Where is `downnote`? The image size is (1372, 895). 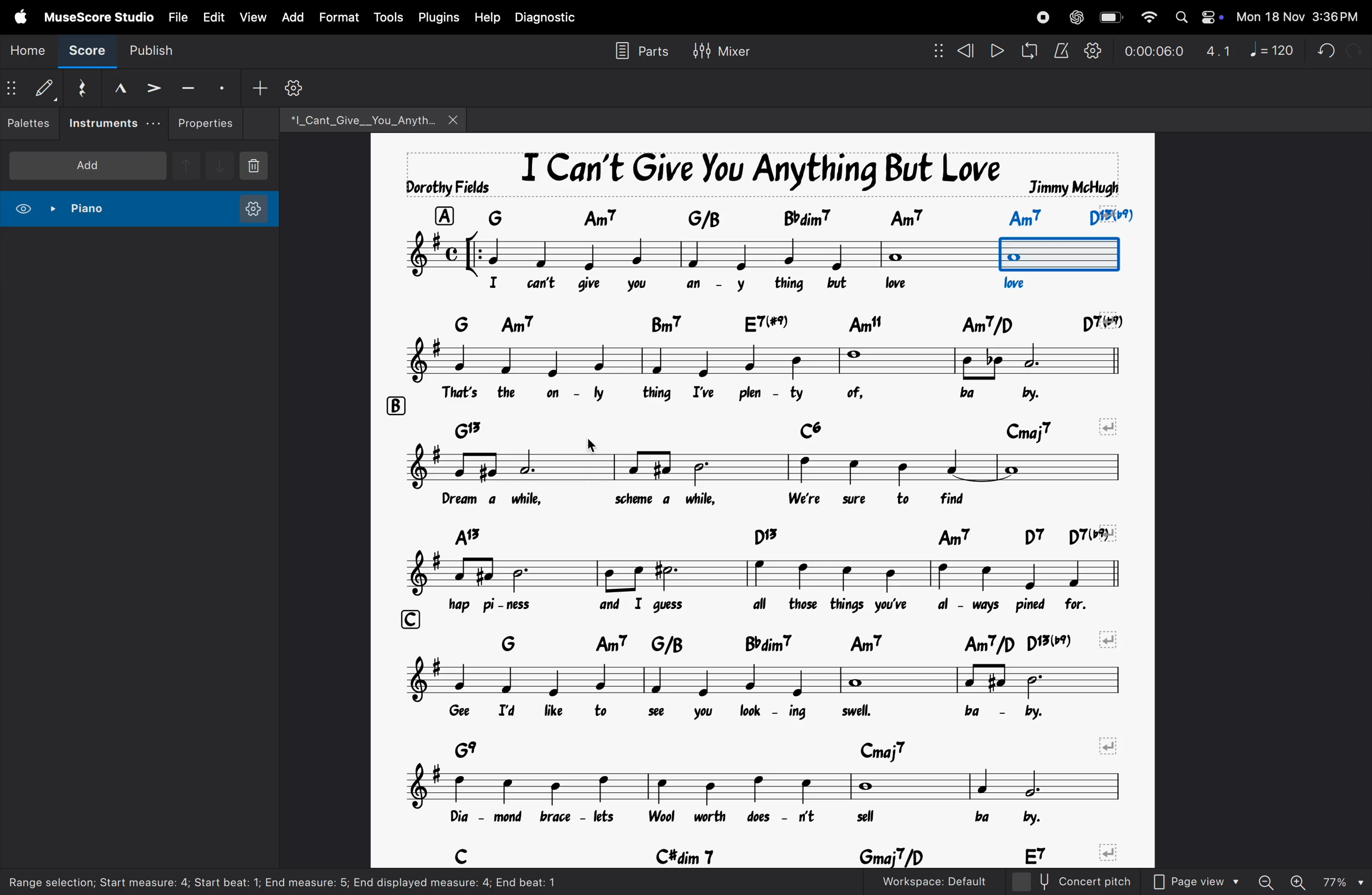 downnote is located at coordinates (218, 164).